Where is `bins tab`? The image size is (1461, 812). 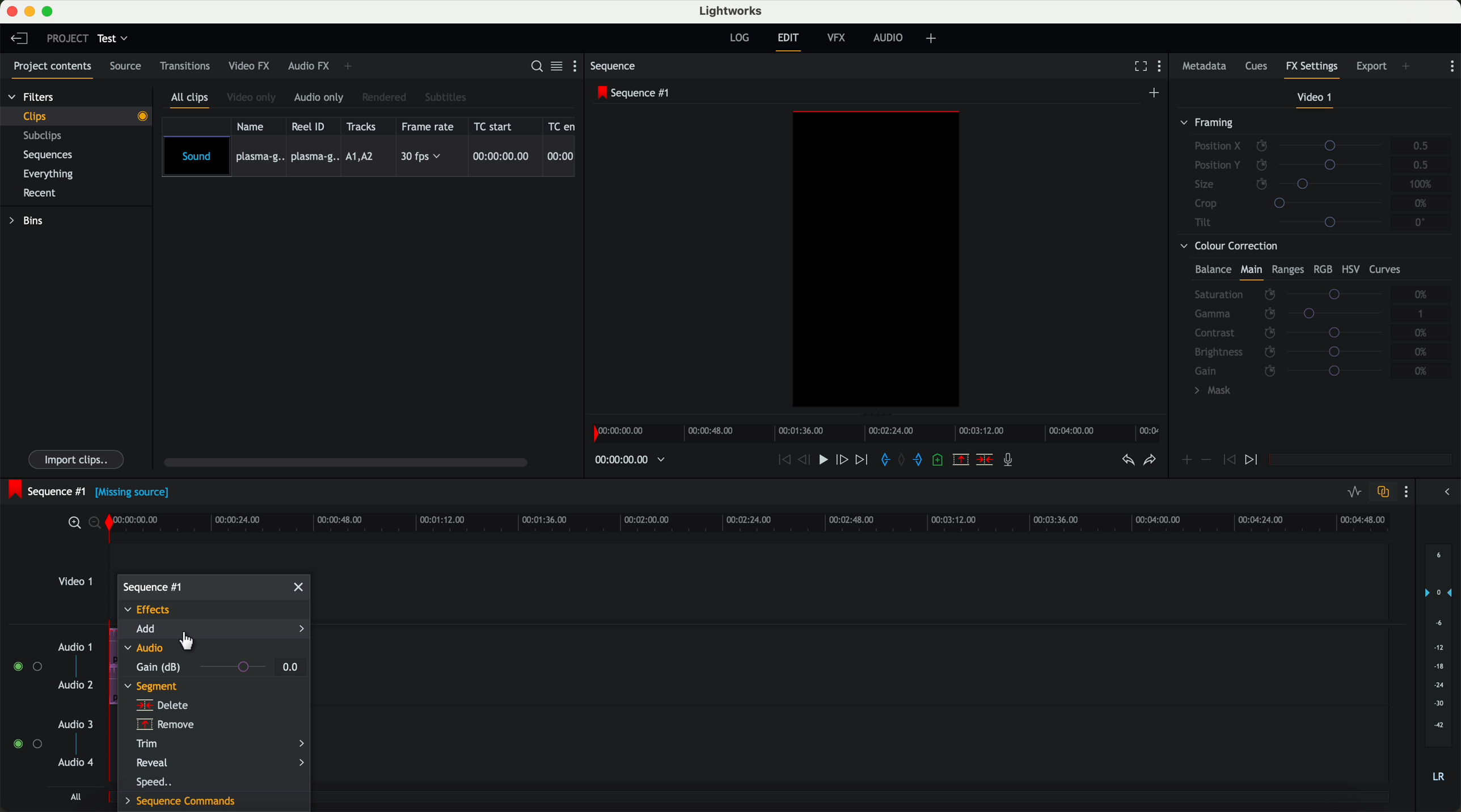
bins tab is located at coordinates (30, 222).